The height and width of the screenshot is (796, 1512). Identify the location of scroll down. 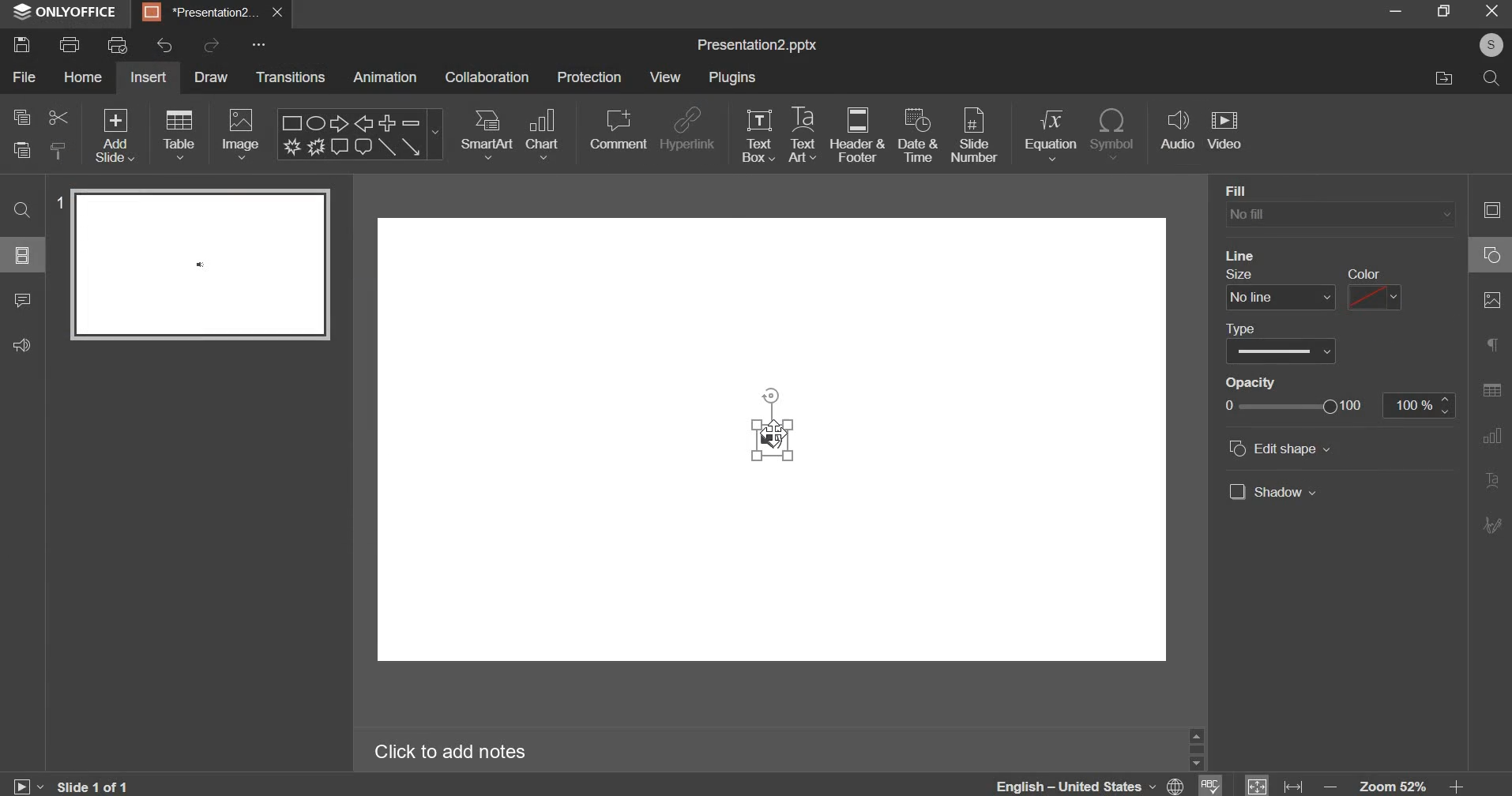
(1196, 764).